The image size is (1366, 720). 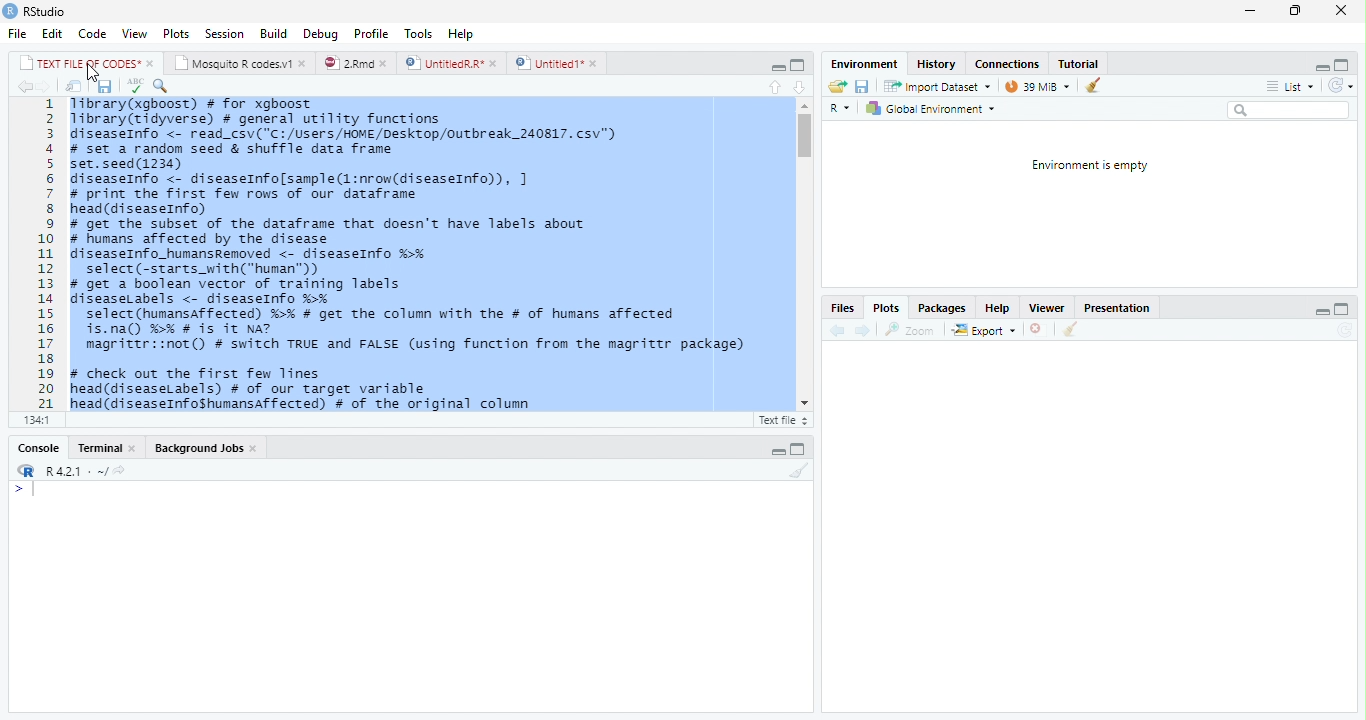 I want to click on Cursor, so click(x=98, y=72).